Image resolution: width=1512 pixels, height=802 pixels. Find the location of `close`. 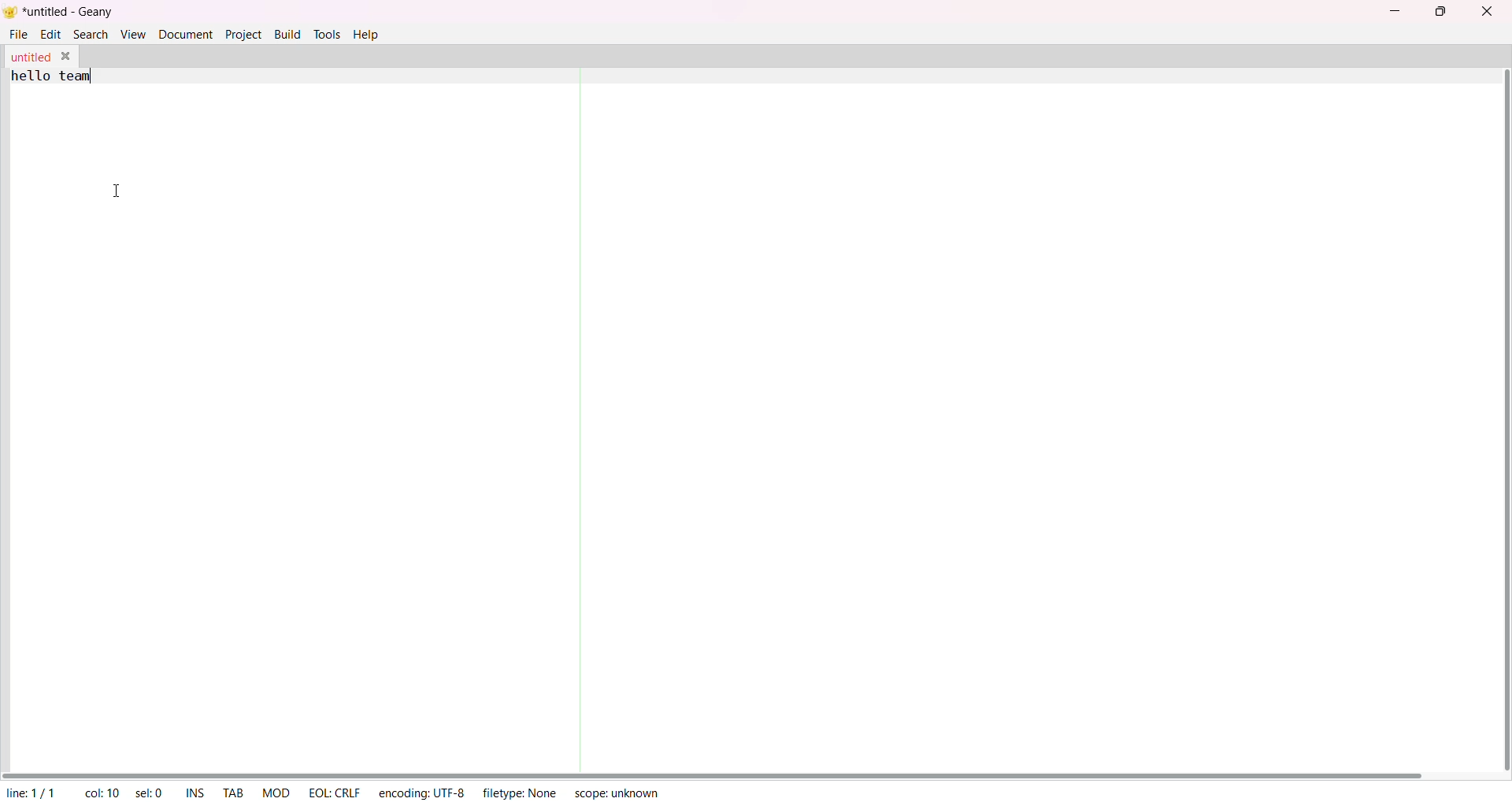

close is located at coordinates (65, 57).